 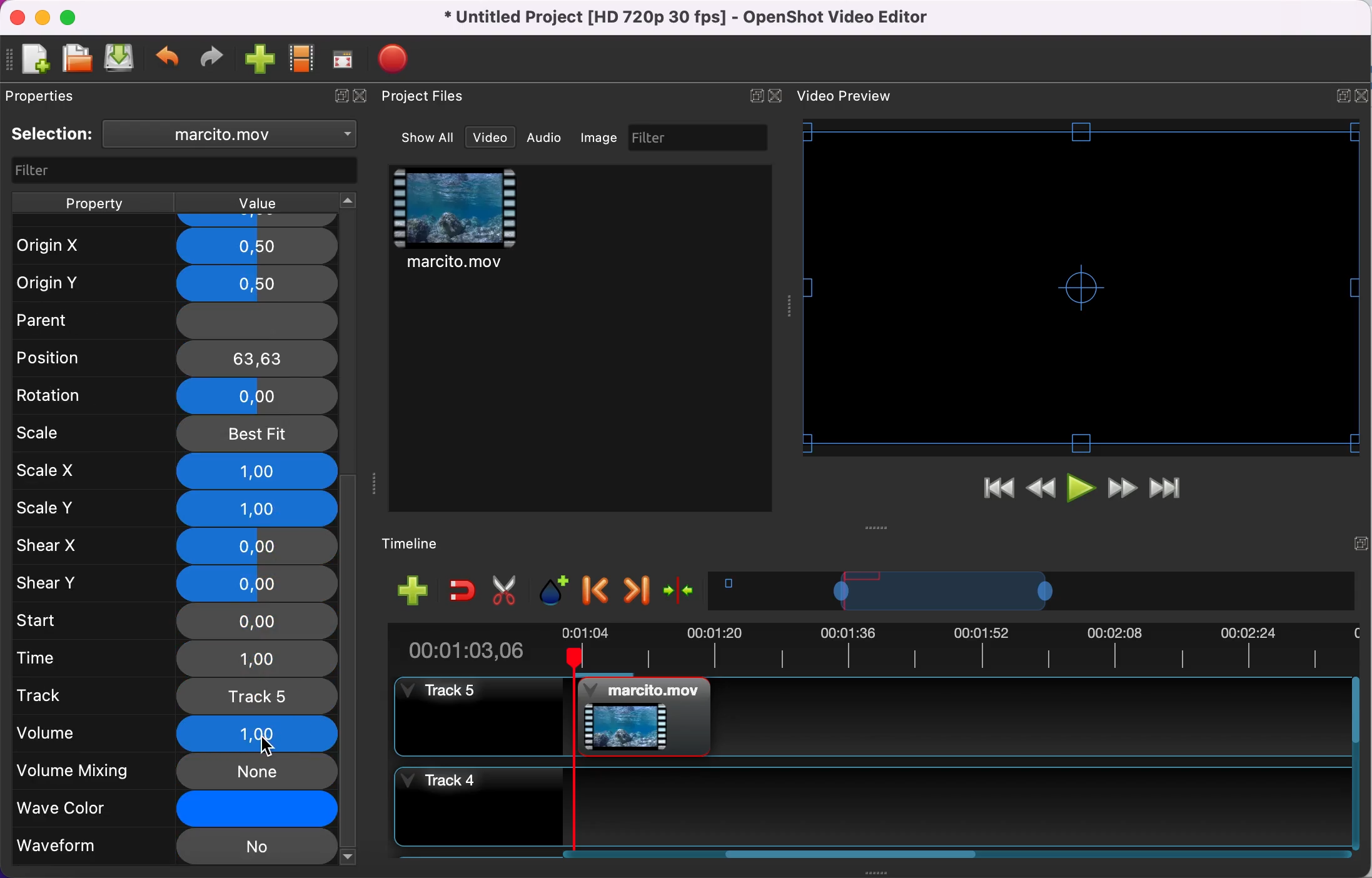 I want to click on rewind, so click(x=1042, y=492).